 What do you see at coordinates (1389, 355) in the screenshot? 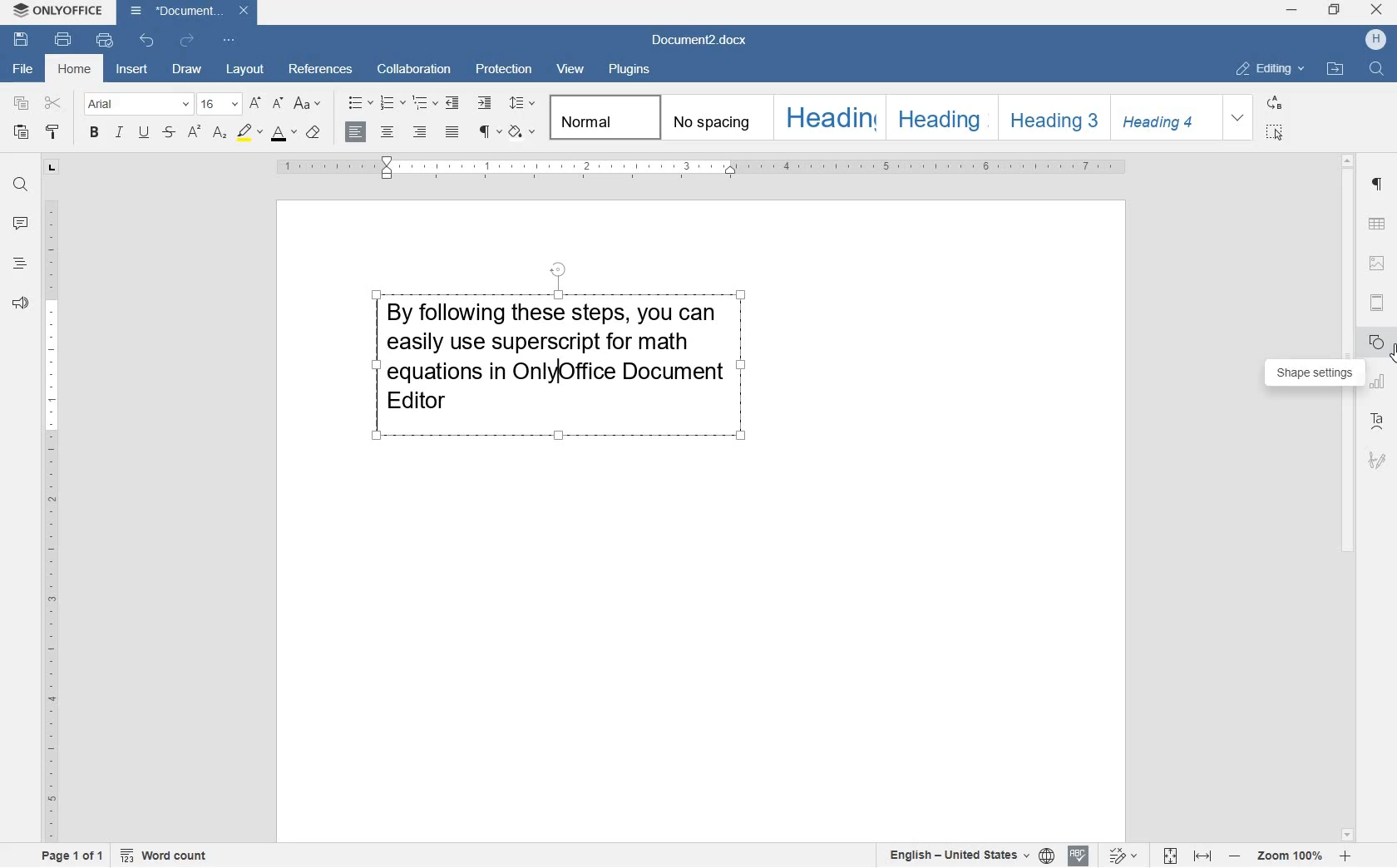
I see `cursor` at bounding box center [1389, 355].